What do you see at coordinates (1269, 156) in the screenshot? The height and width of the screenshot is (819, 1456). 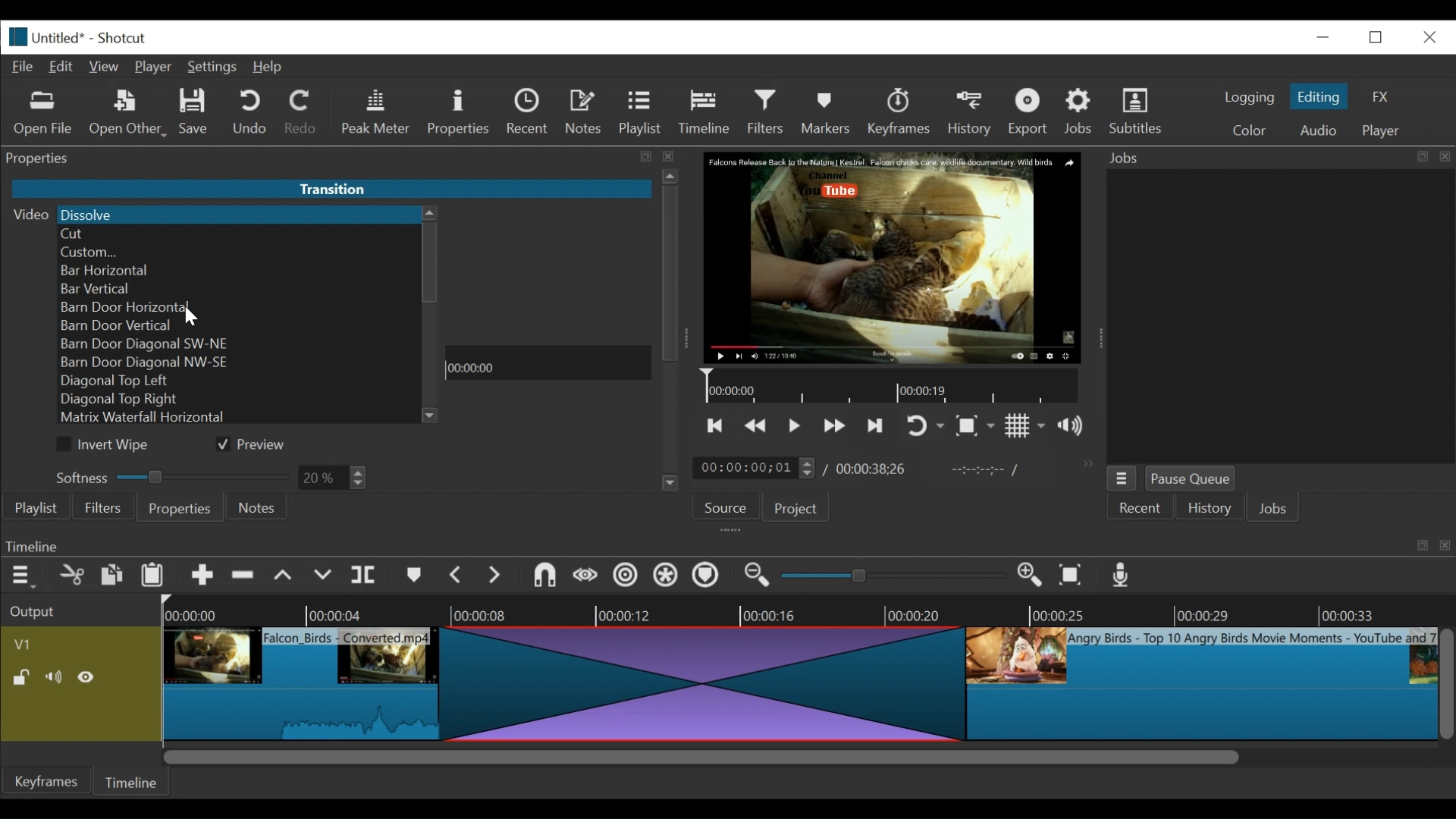 I see `Jobs menu` at bounding box center [1269, 156].